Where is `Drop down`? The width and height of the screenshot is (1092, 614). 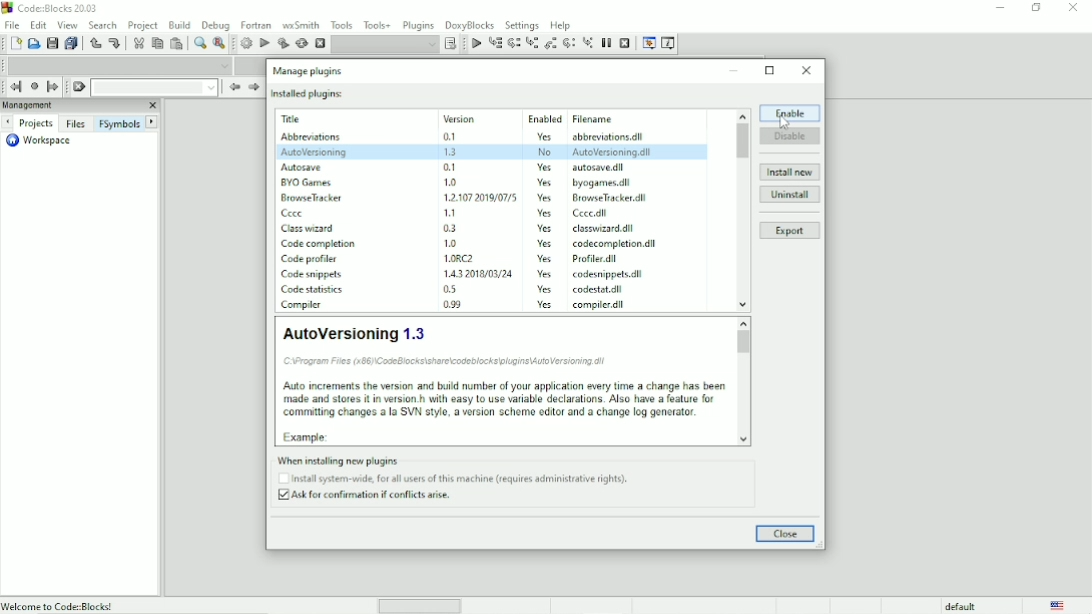 Drop down is located at coordinates (117, 65).